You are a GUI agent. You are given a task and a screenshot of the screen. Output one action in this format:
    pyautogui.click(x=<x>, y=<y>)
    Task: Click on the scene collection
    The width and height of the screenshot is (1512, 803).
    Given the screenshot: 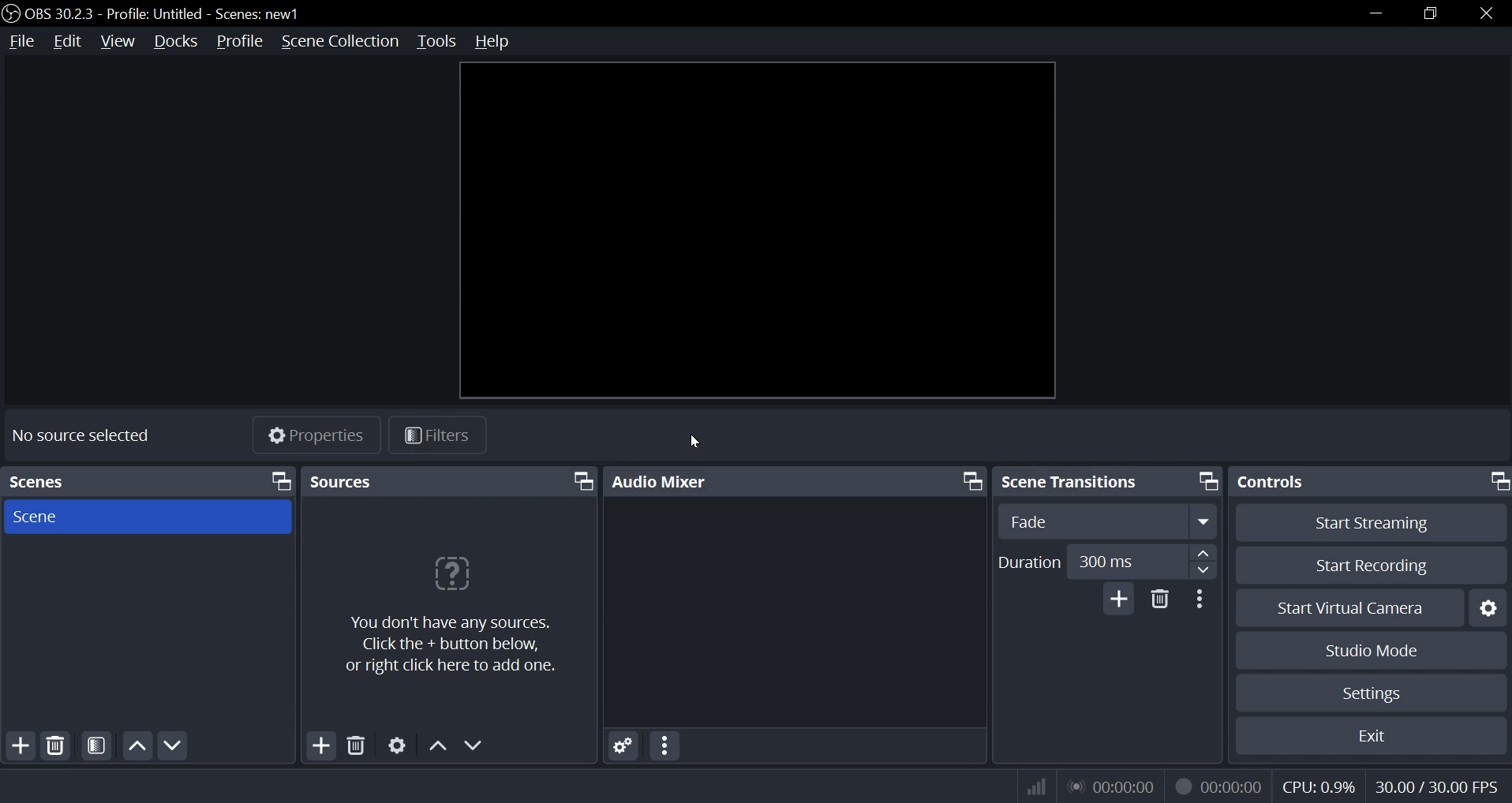 What is the action you would take?
    pyautogui.click(x=339, y=41)
    